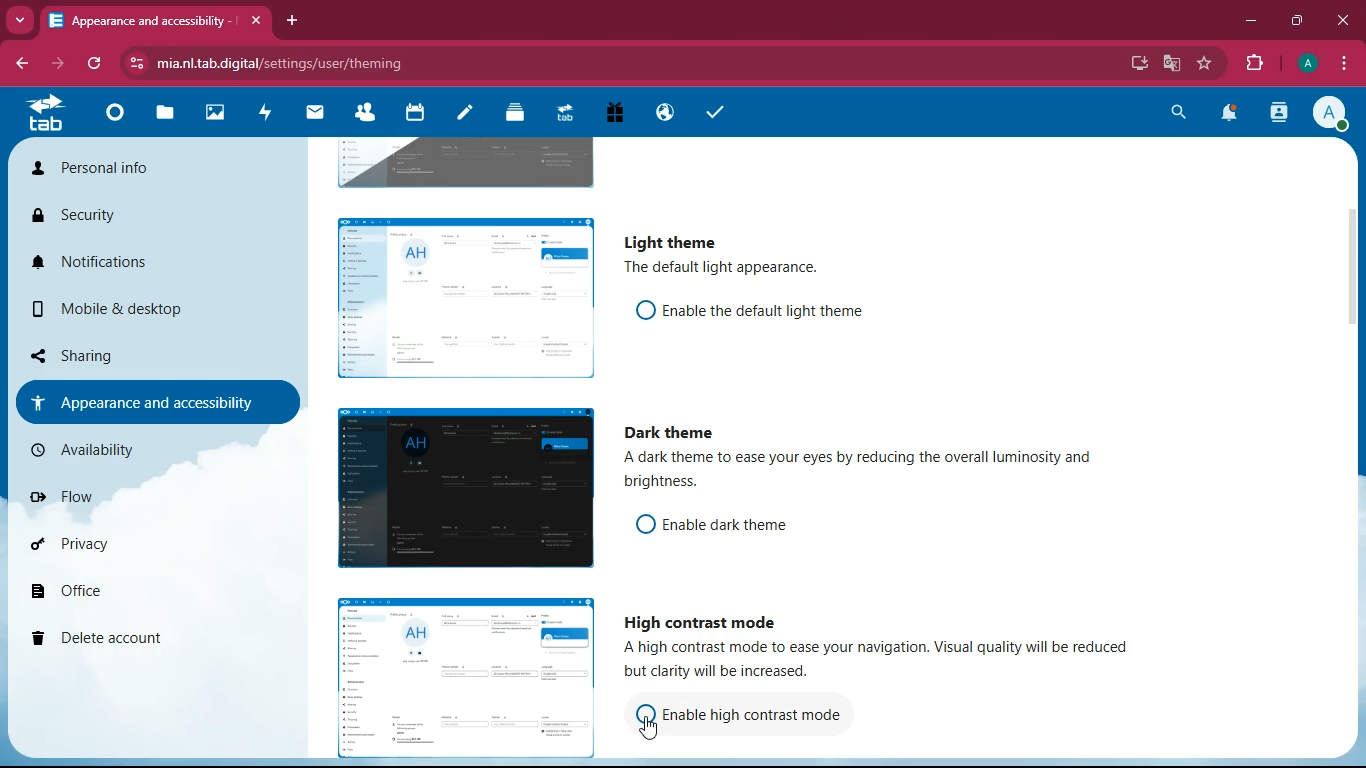  What do you see at coordinates (103, 169) in the screenshot?
I see `personal info` at bounding box center [103, 169].